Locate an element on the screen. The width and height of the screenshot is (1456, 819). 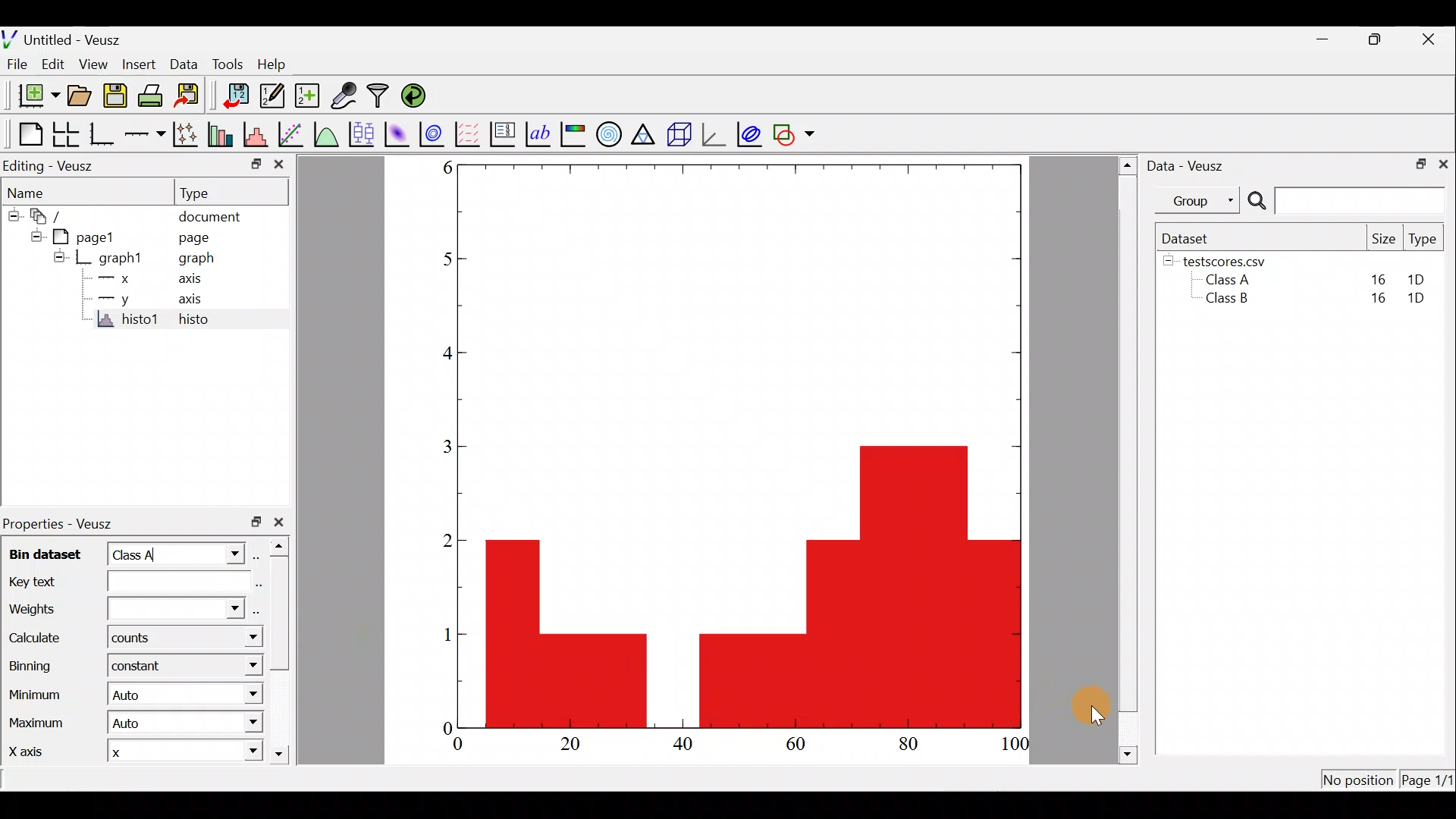
Plot a function is located at coordinates (326, 133).